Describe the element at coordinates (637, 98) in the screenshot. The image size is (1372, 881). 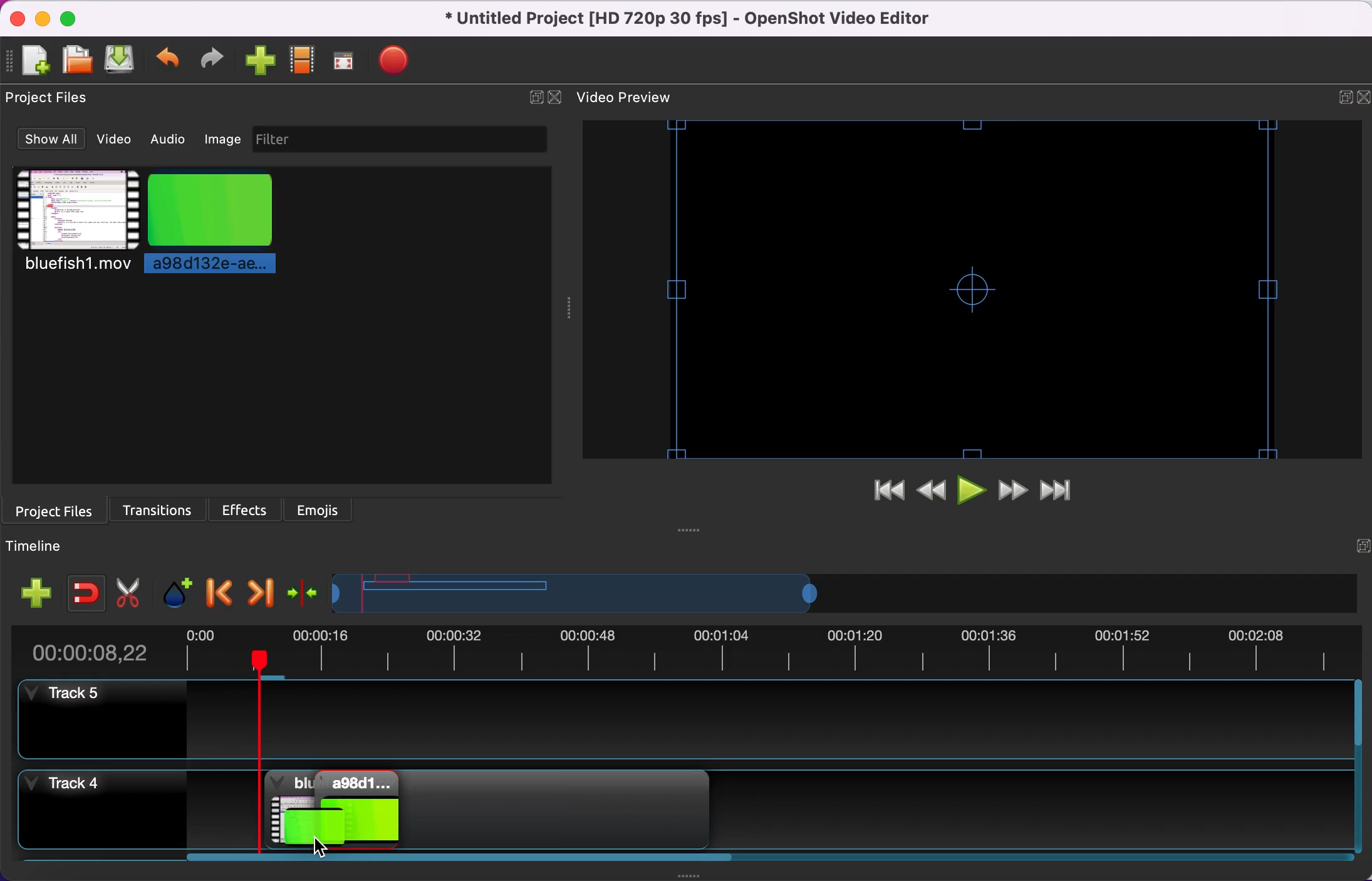
I see `video preview` at that location.